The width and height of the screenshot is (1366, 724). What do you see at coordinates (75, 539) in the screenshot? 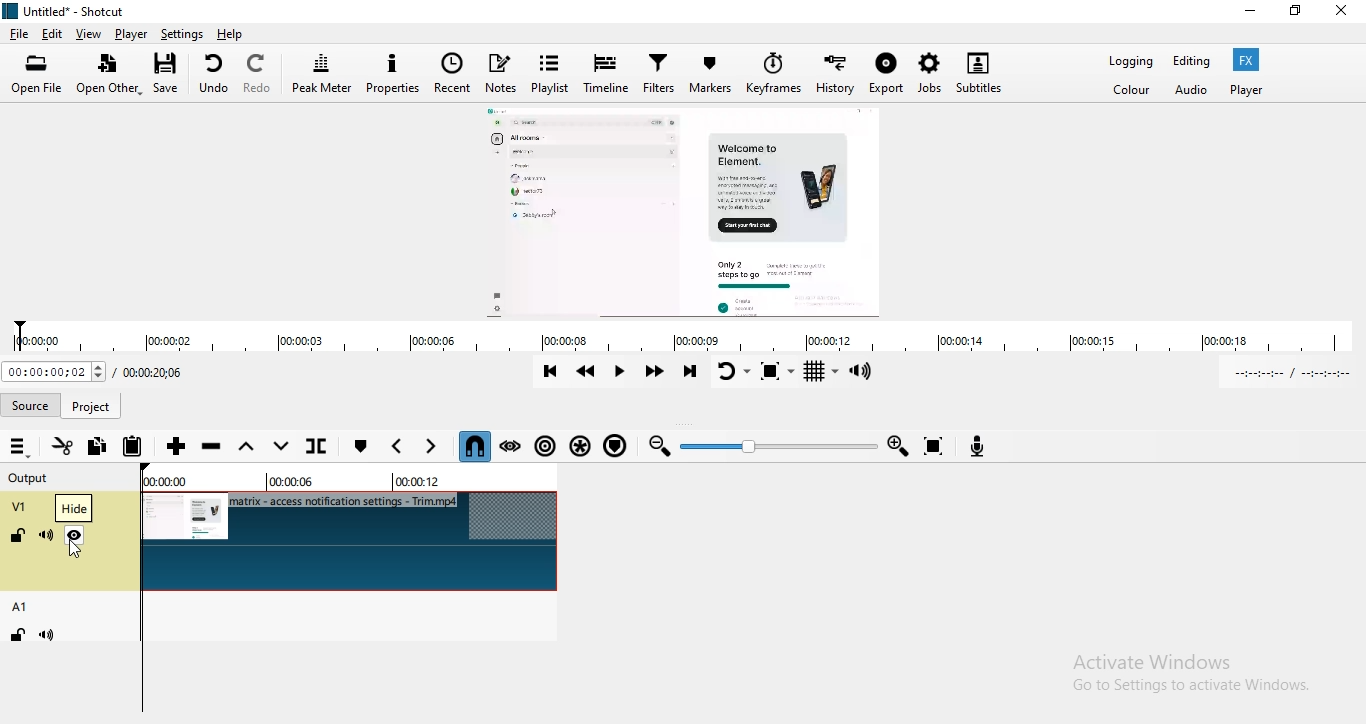
I see `show` at bounding box center [75, 539].